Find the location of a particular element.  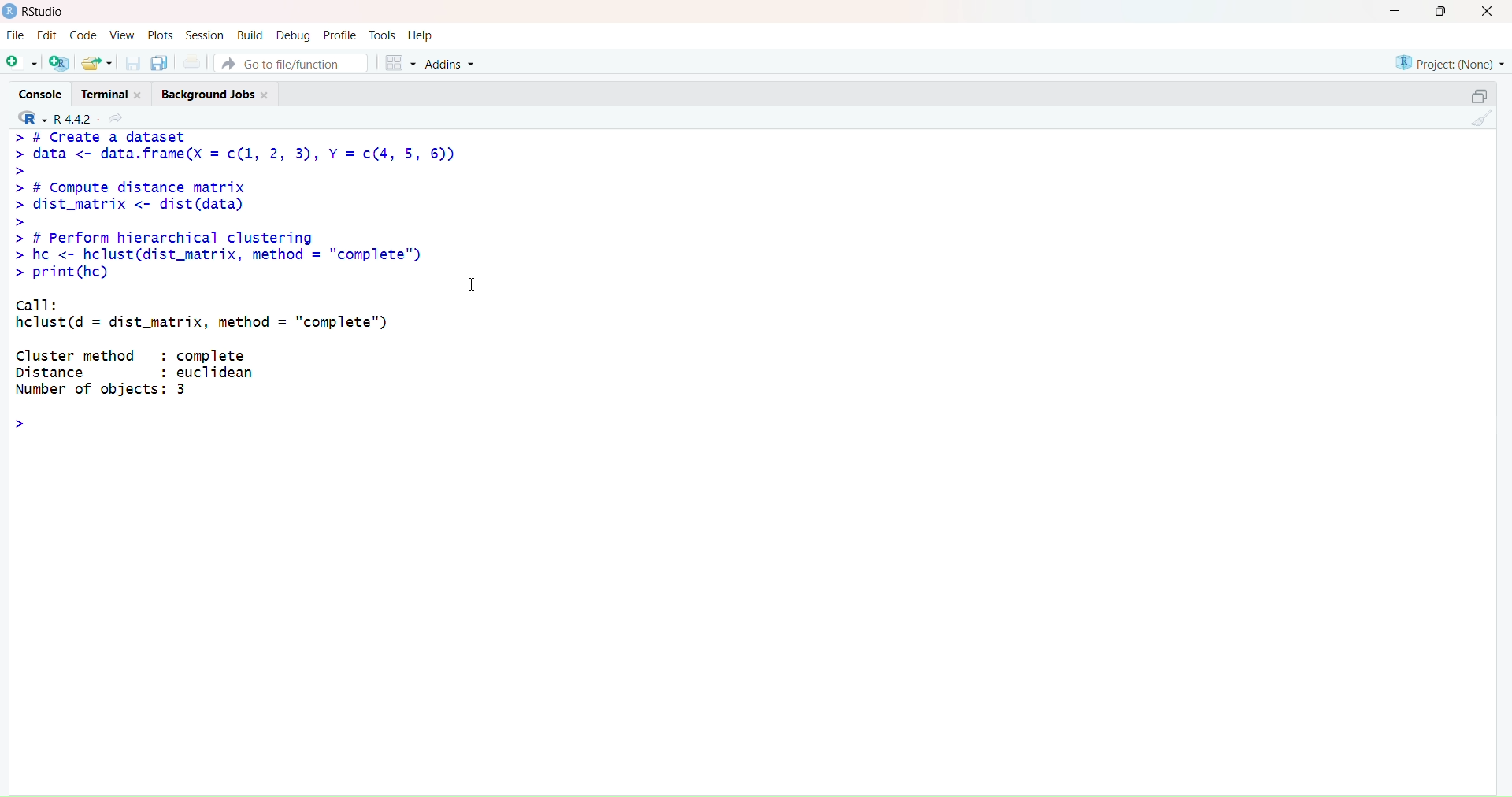

RStudio is located at coordinates (39, 13).